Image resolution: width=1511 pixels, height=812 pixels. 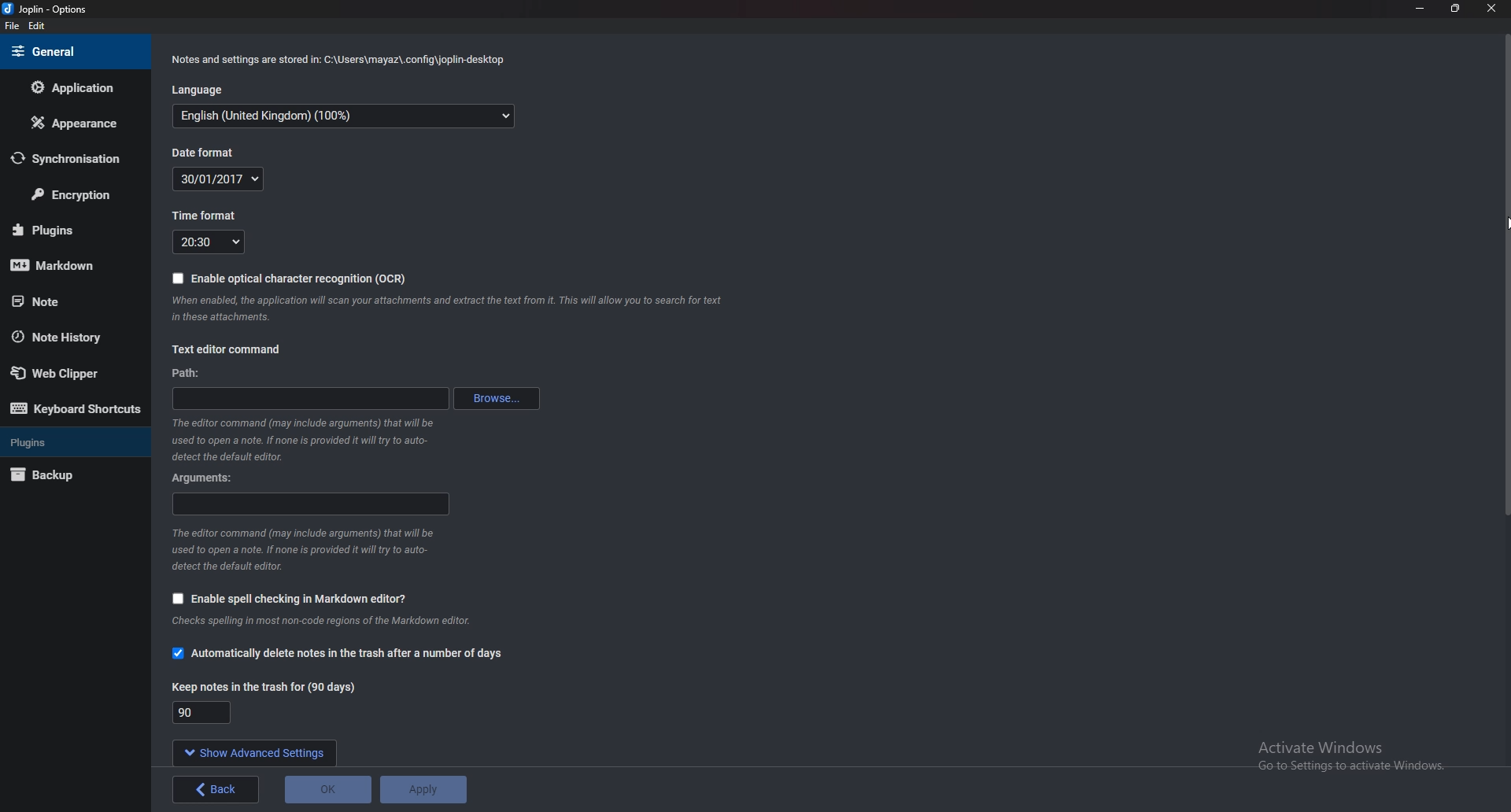 I want to click on cursor, so click(x=1507, y=222).